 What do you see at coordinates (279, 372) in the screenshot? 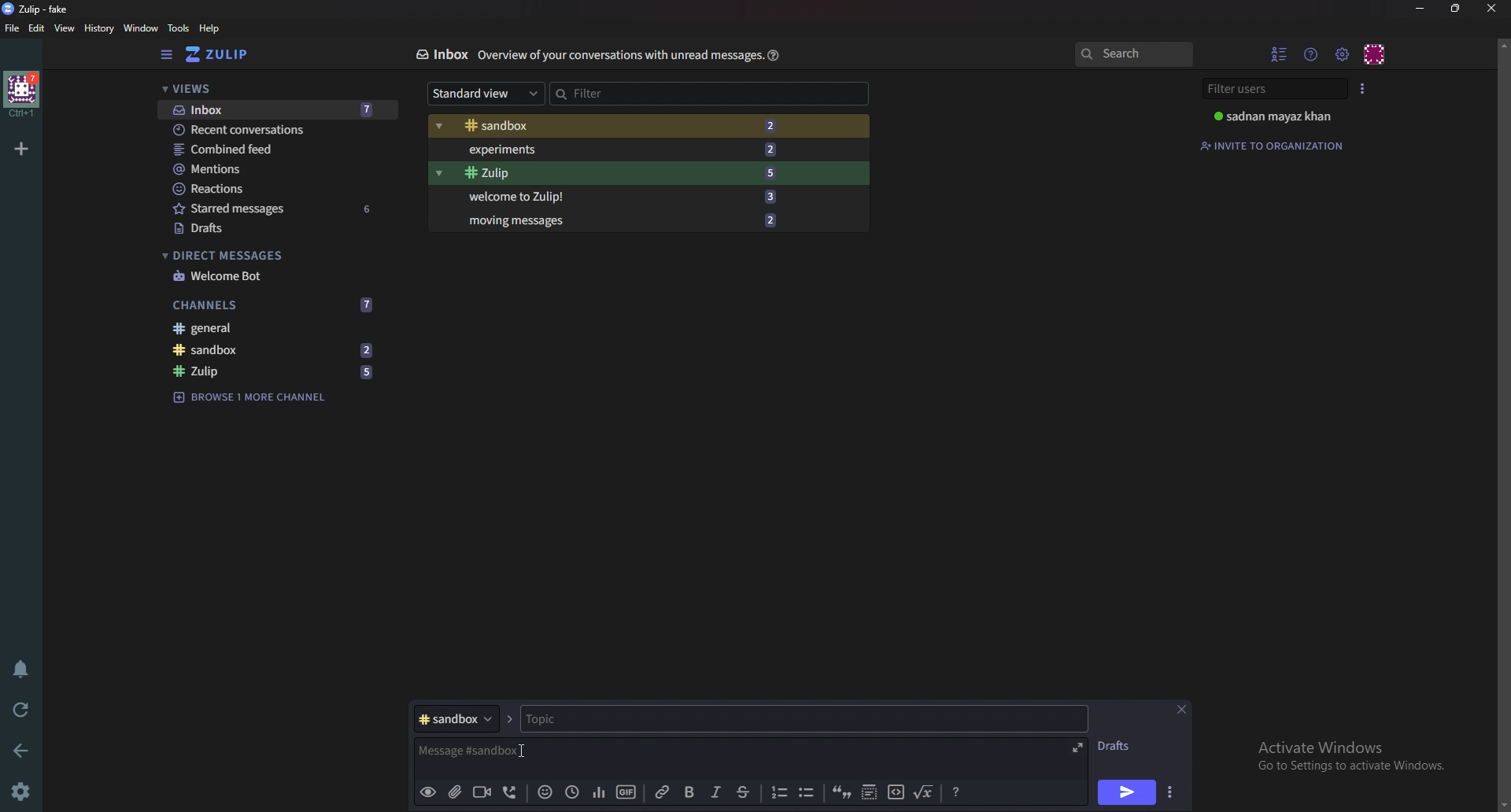
I see `zulip` at bounding box center [279, 372].